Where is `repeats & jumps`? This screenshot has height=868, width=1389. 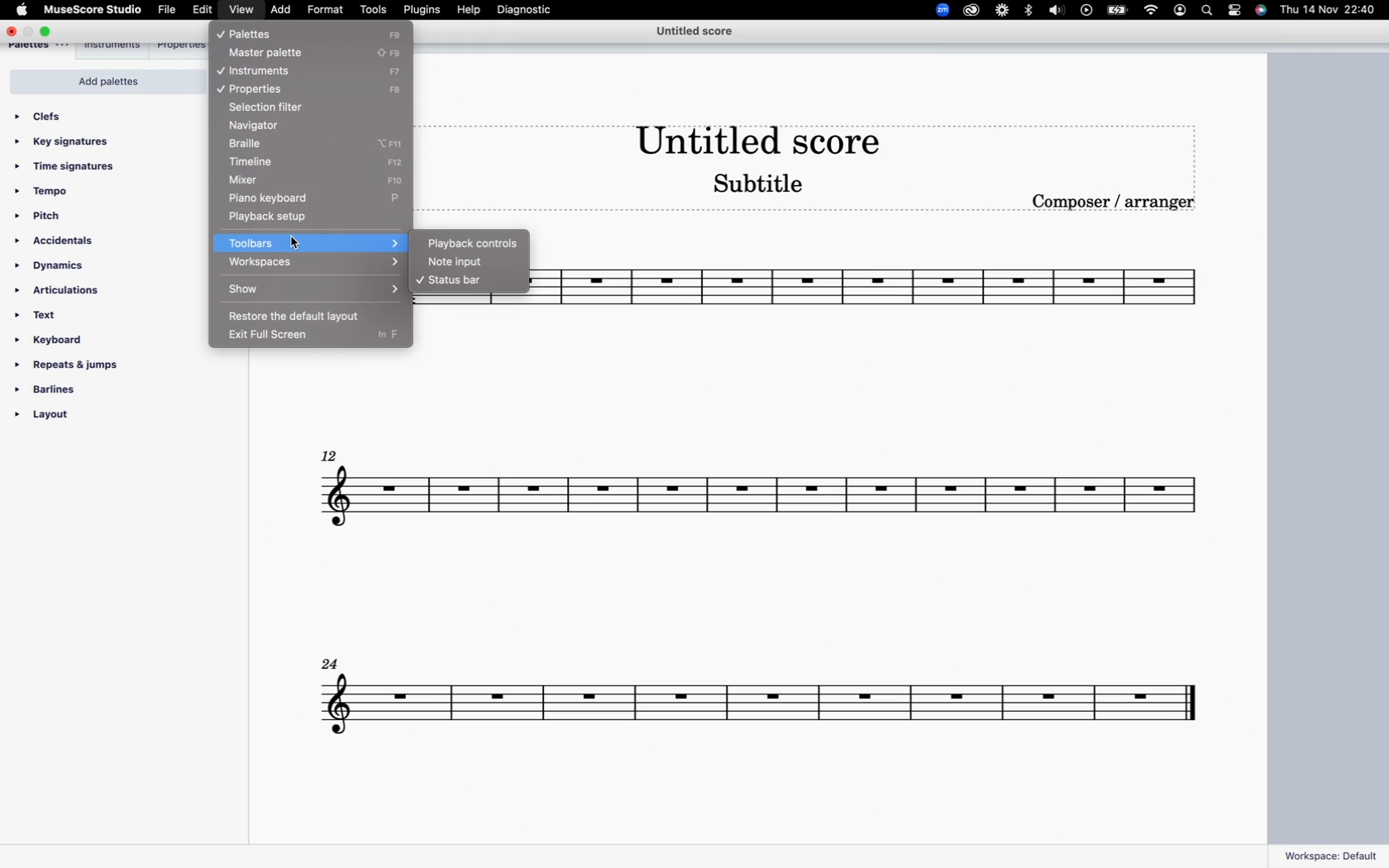
repeats & jumps is located at coordinates (70, 365).